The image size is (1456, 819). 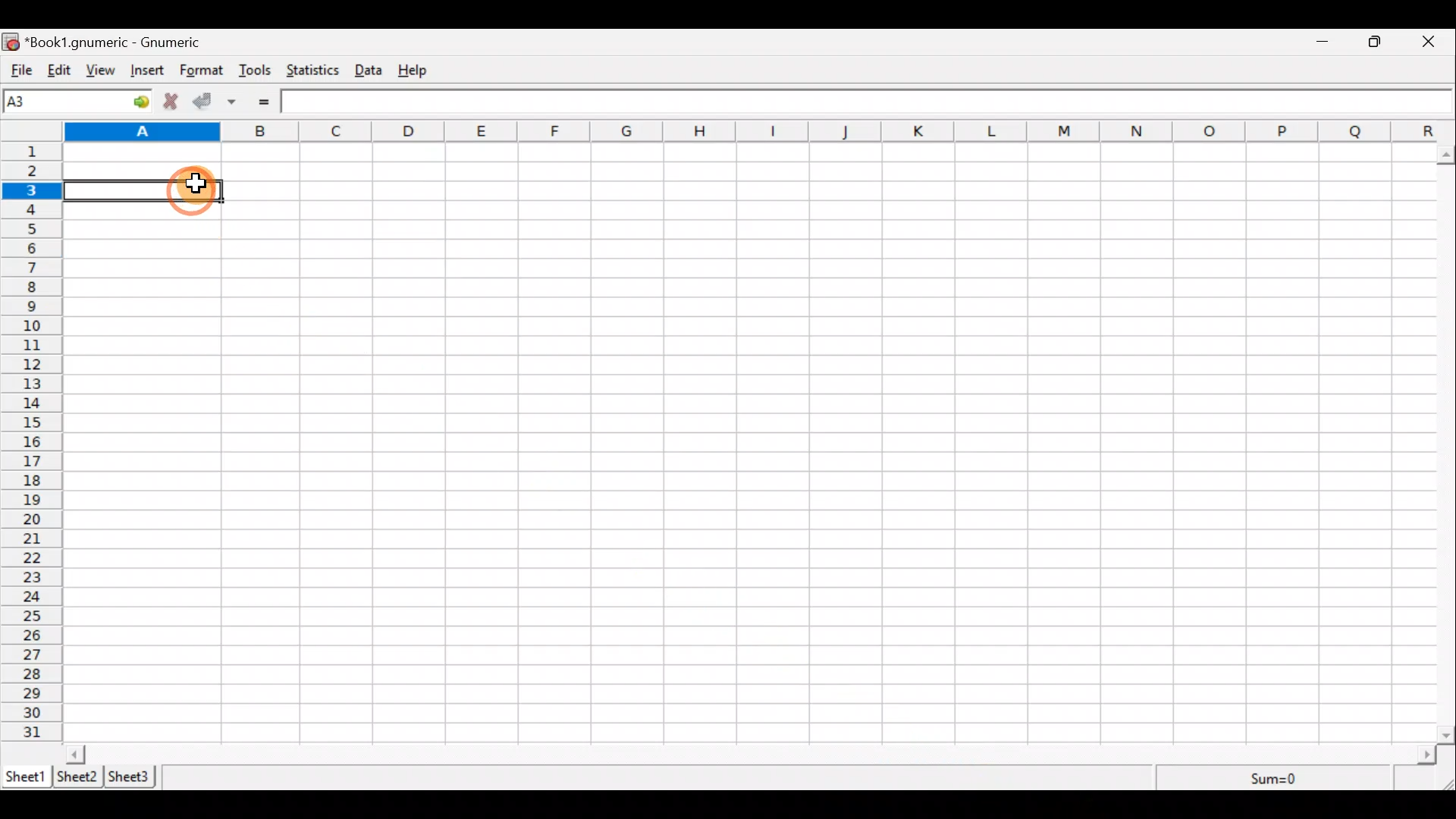 What do you see at coordinates (272, 102) in the screenshot?
I see `Enter formula` at bounding box center [272, 102].